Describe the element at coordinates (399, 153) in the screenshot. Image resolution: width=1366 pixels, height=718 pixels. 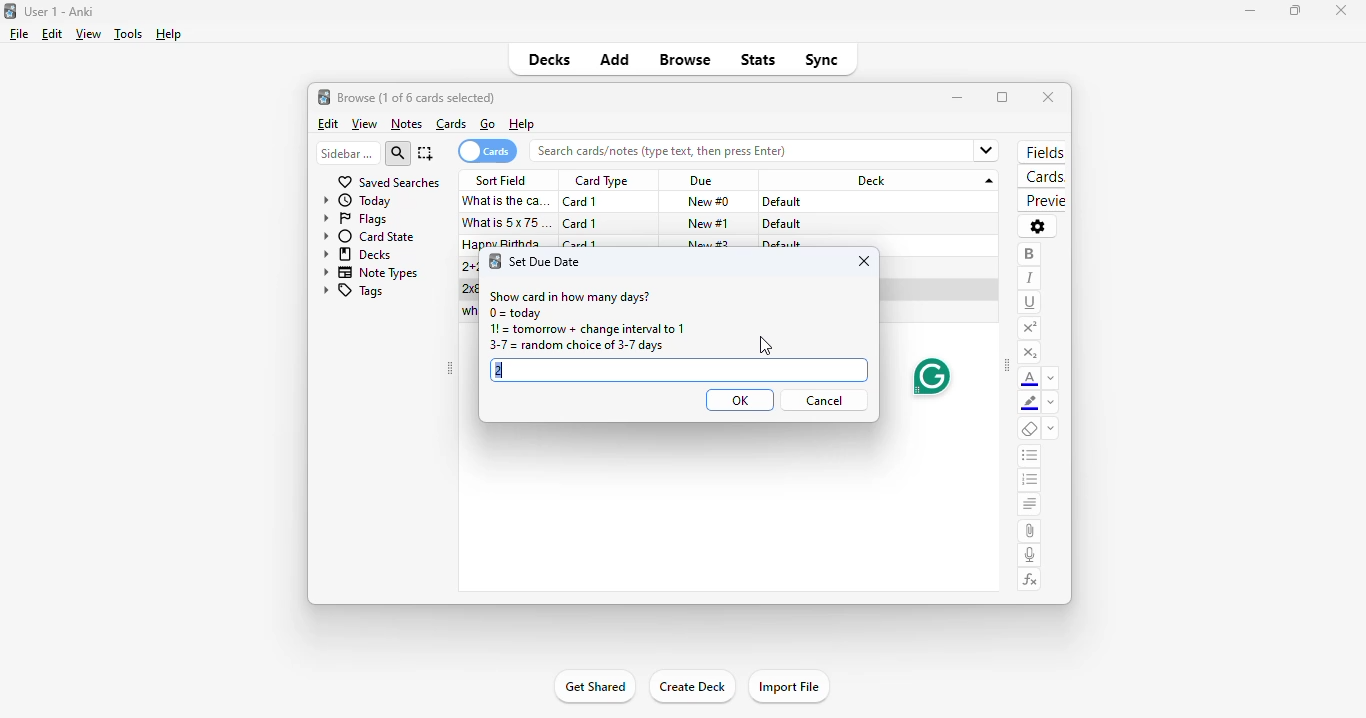
I see `search` at that location.